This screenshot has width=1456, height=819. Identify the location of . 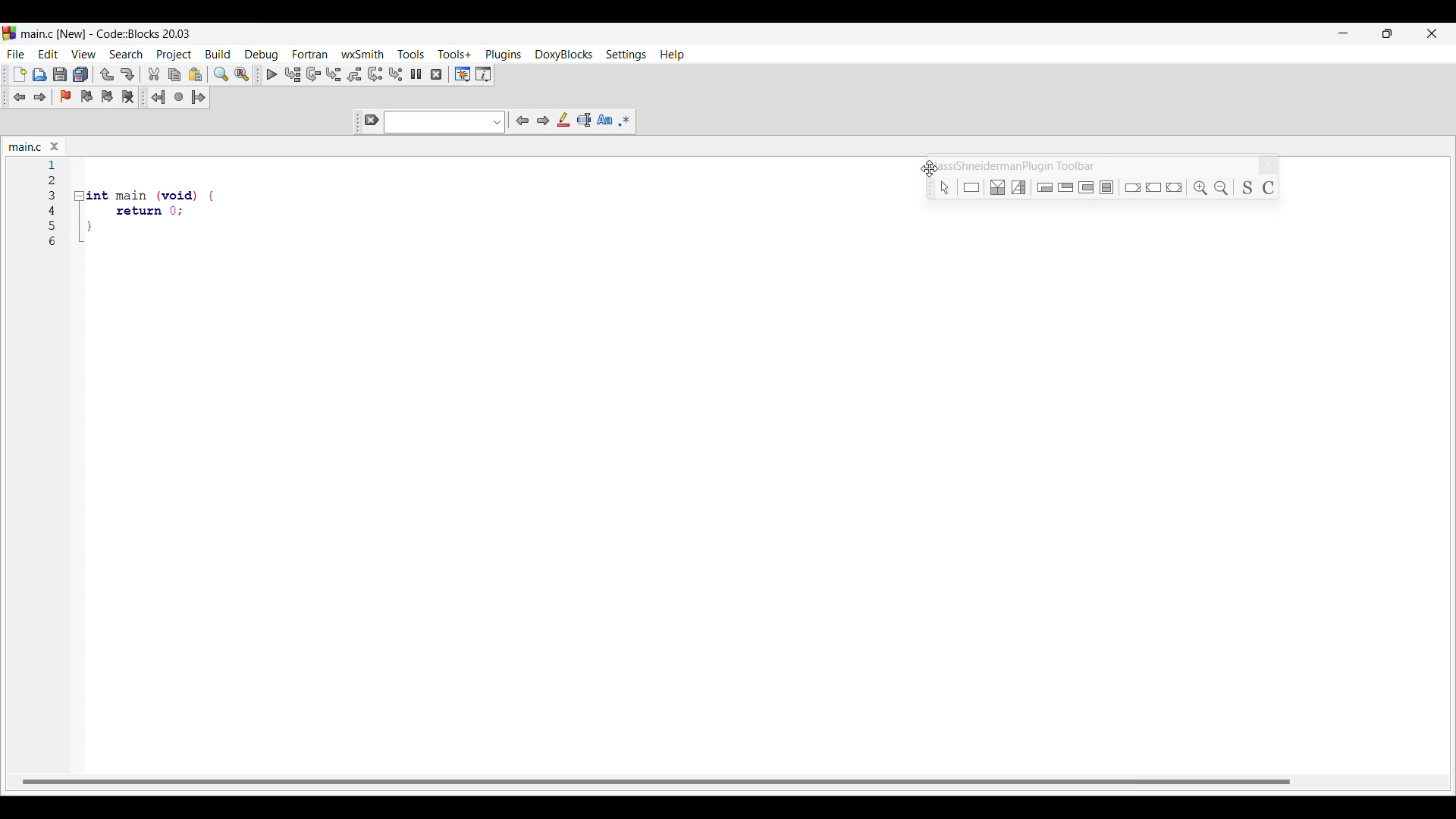
(941, 187).